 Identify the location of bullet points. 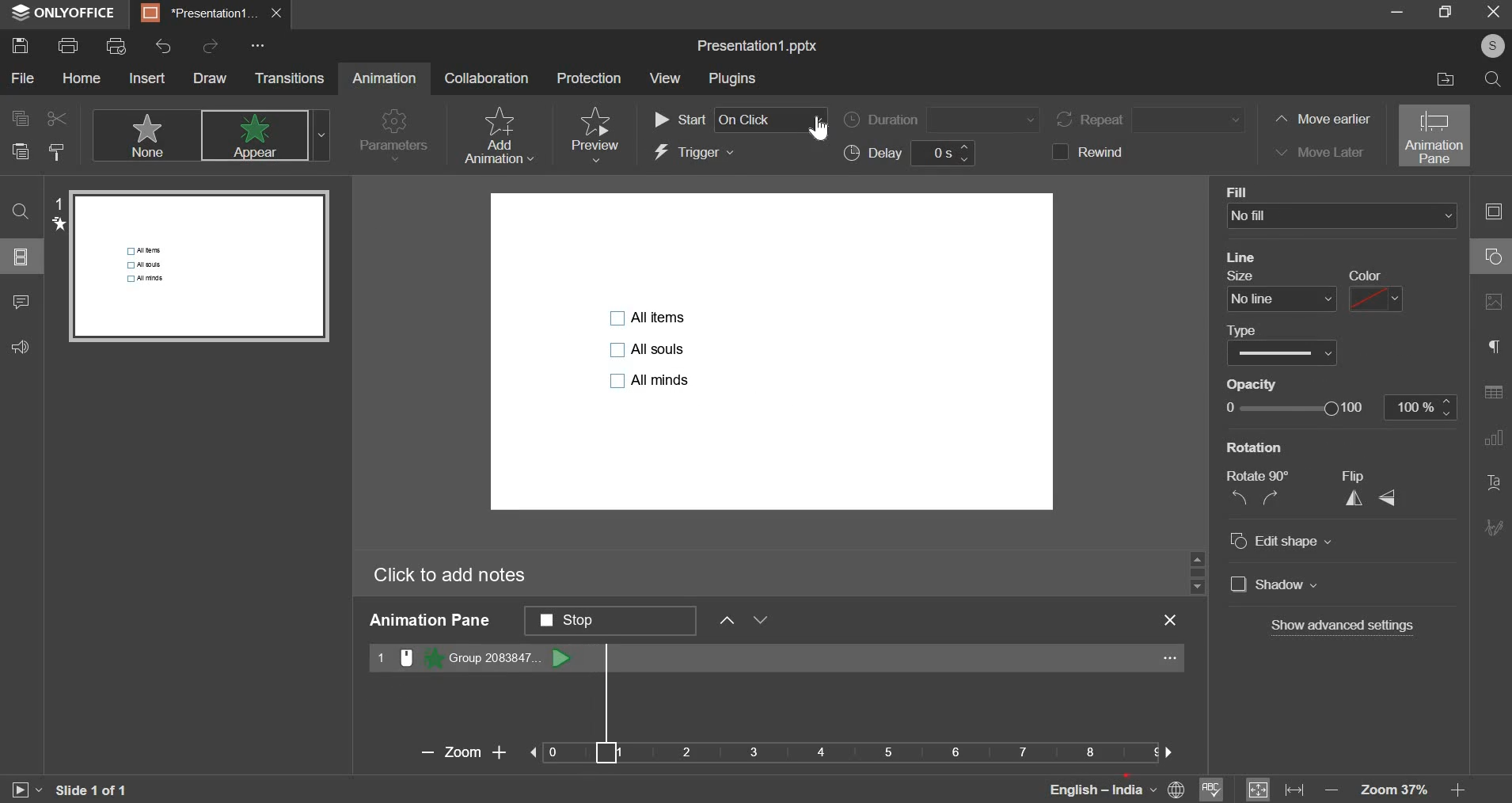
(650, 347).